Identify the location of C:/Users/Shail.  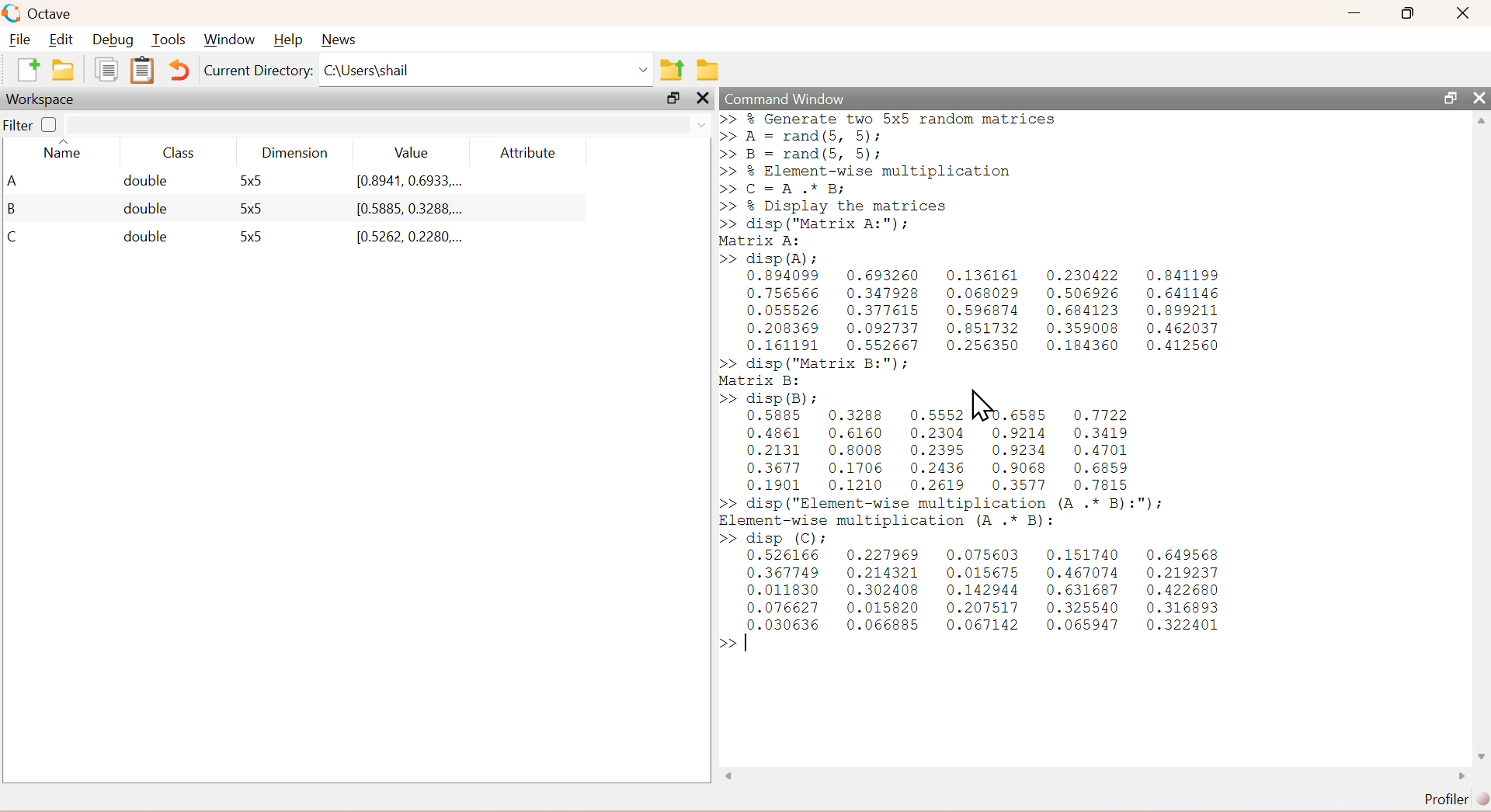
(485, 72).